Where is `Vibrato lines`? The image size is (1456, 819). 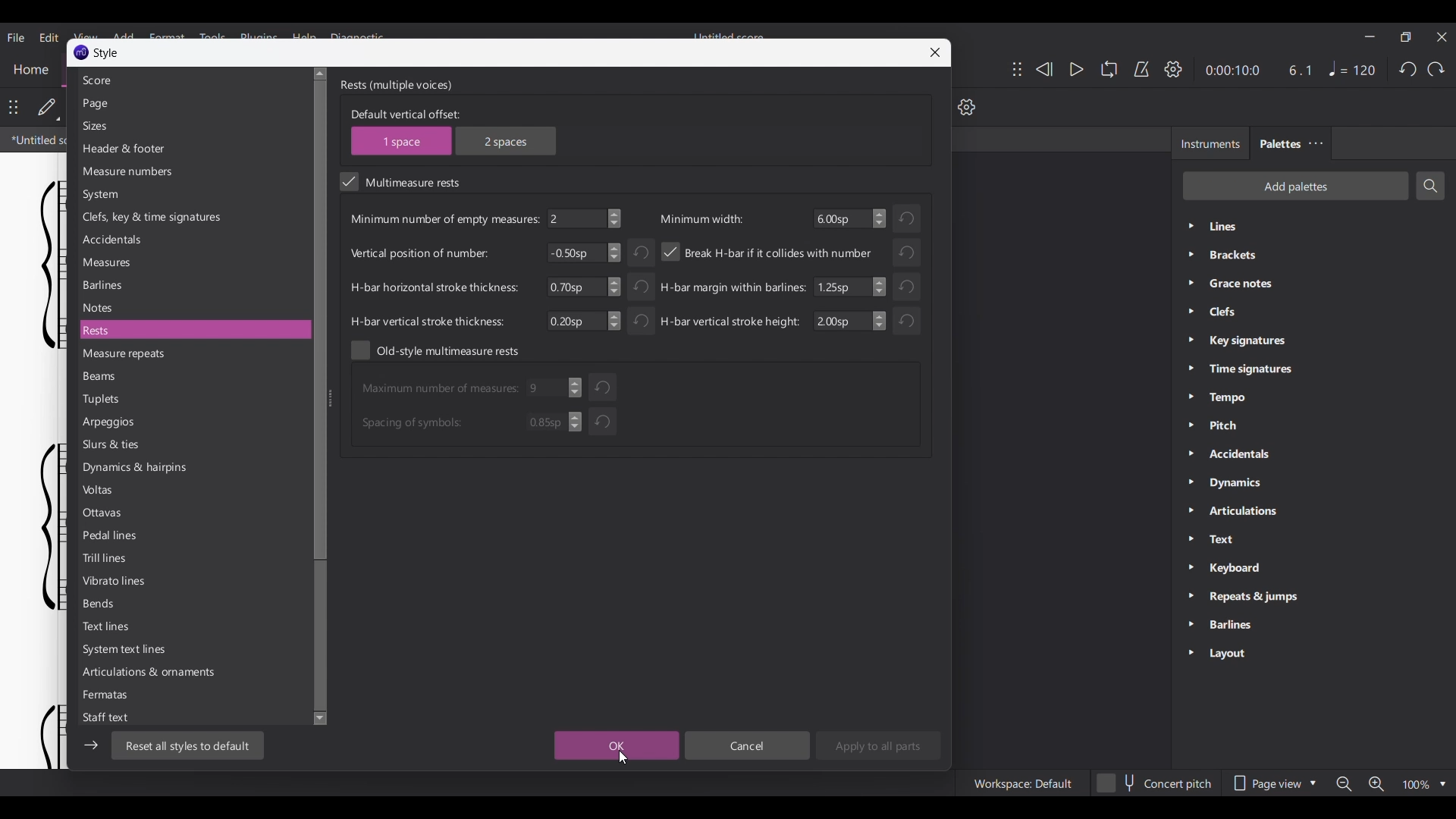
Vibrato lines is located at coordinates (192, 580).